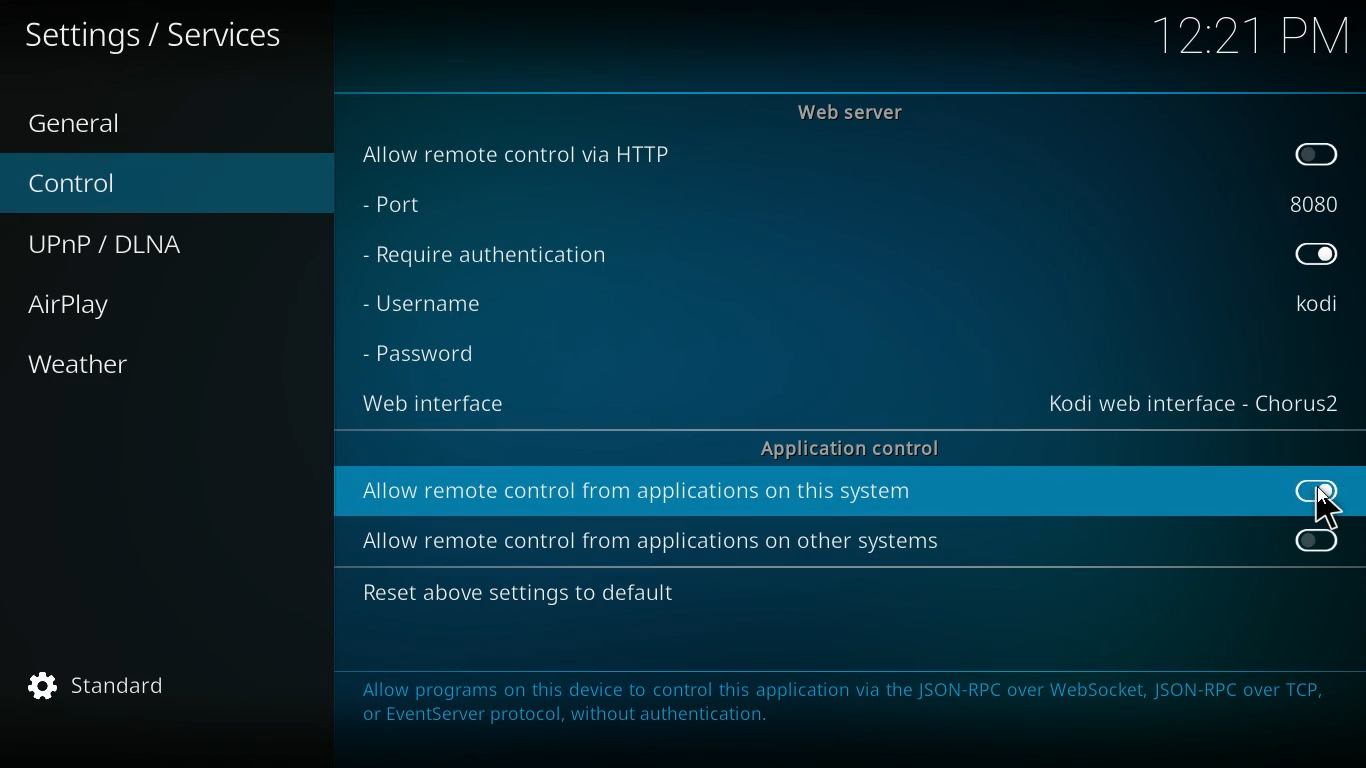 The height and width of the screenshot is (768, 1366). Describe the element at coordinates (1315, 307) in the screenshot. I see `username` at that location.